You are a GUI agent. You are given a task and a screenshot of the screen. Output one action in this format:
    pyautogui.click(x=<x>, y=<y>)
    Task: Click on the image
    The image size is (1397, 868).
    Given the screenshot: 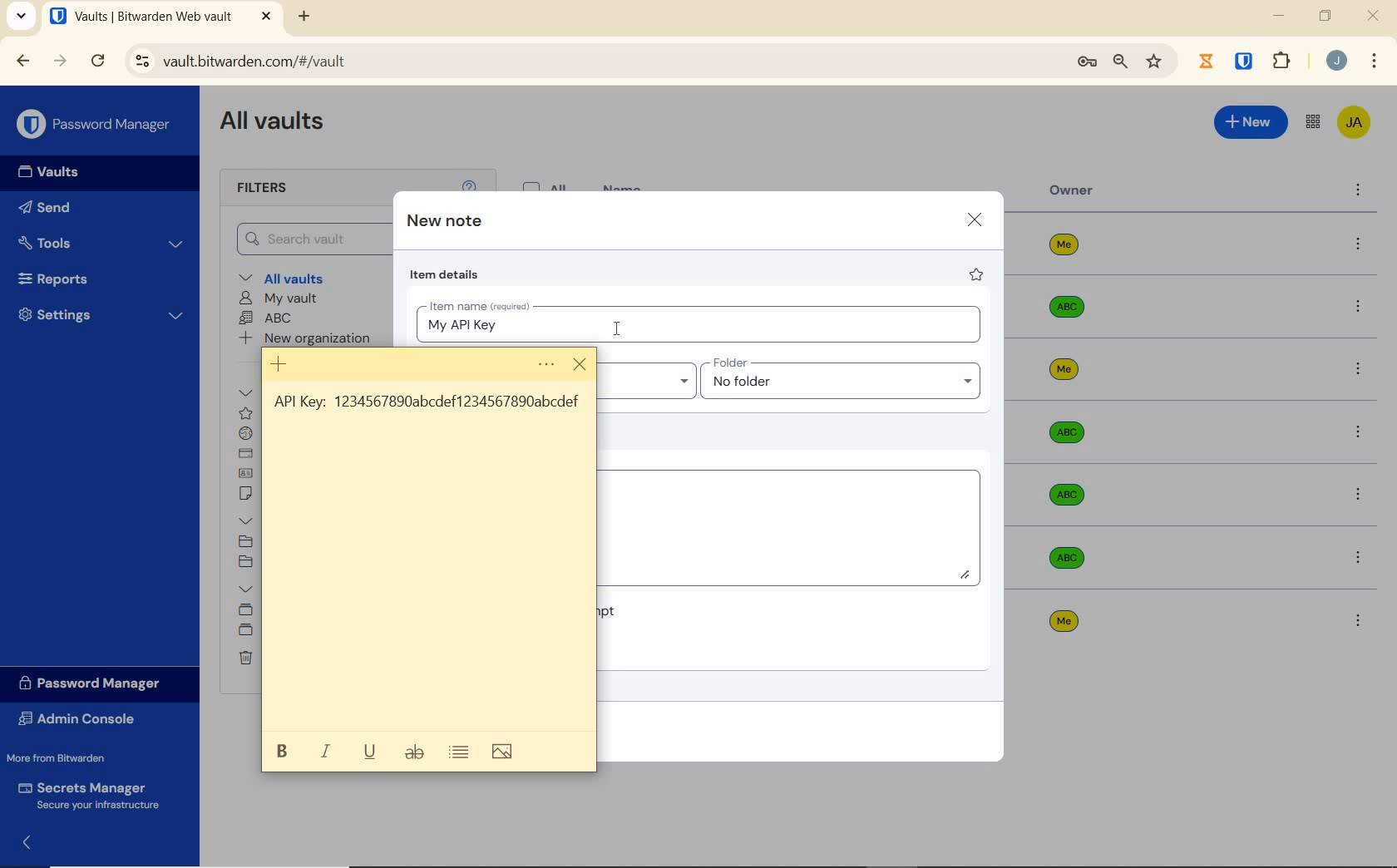 What is the action you would take?
    pyautogui.click(x=502, y=752)
    